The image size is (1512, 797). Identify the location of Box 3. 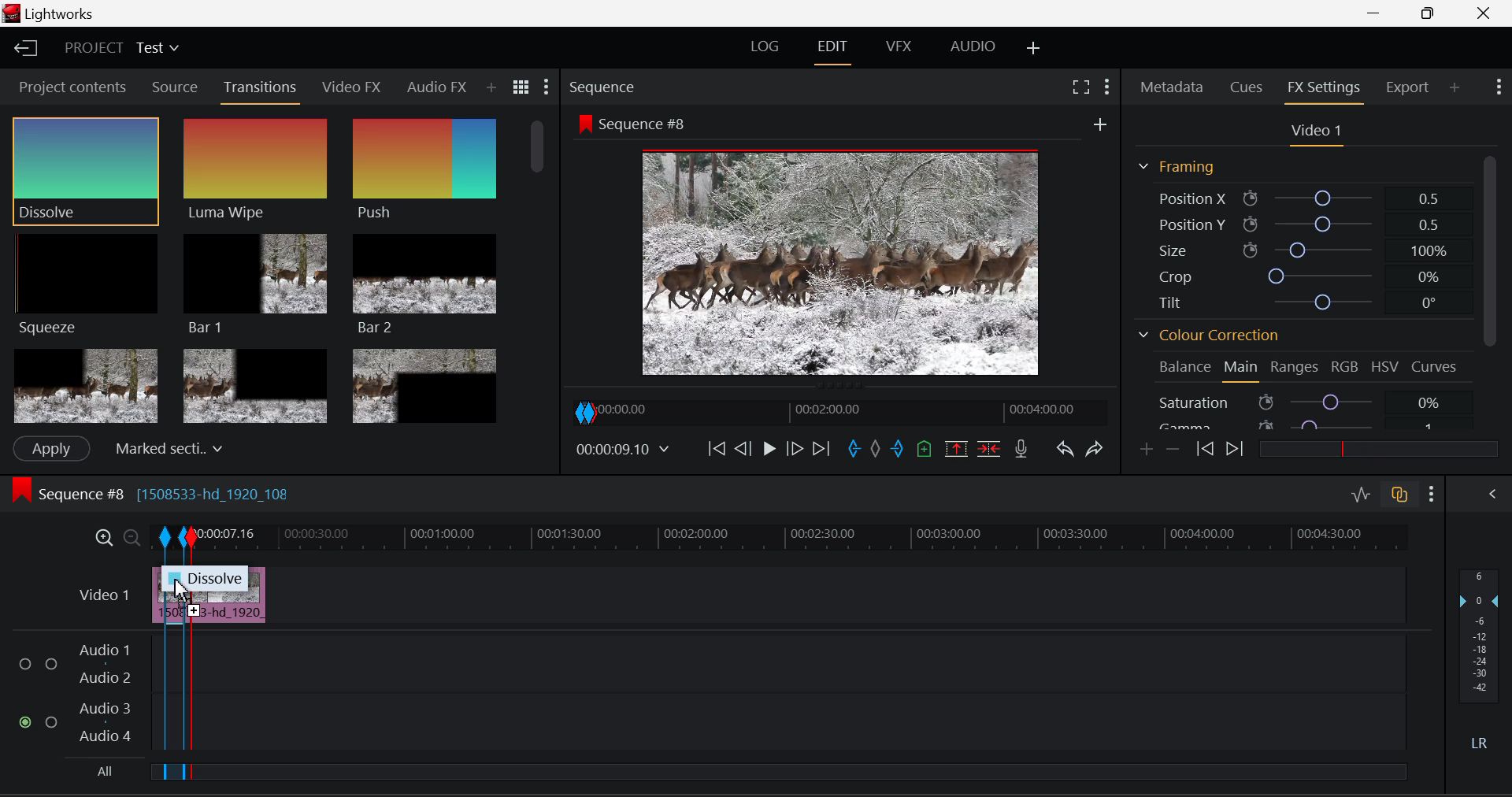
(426, 383).